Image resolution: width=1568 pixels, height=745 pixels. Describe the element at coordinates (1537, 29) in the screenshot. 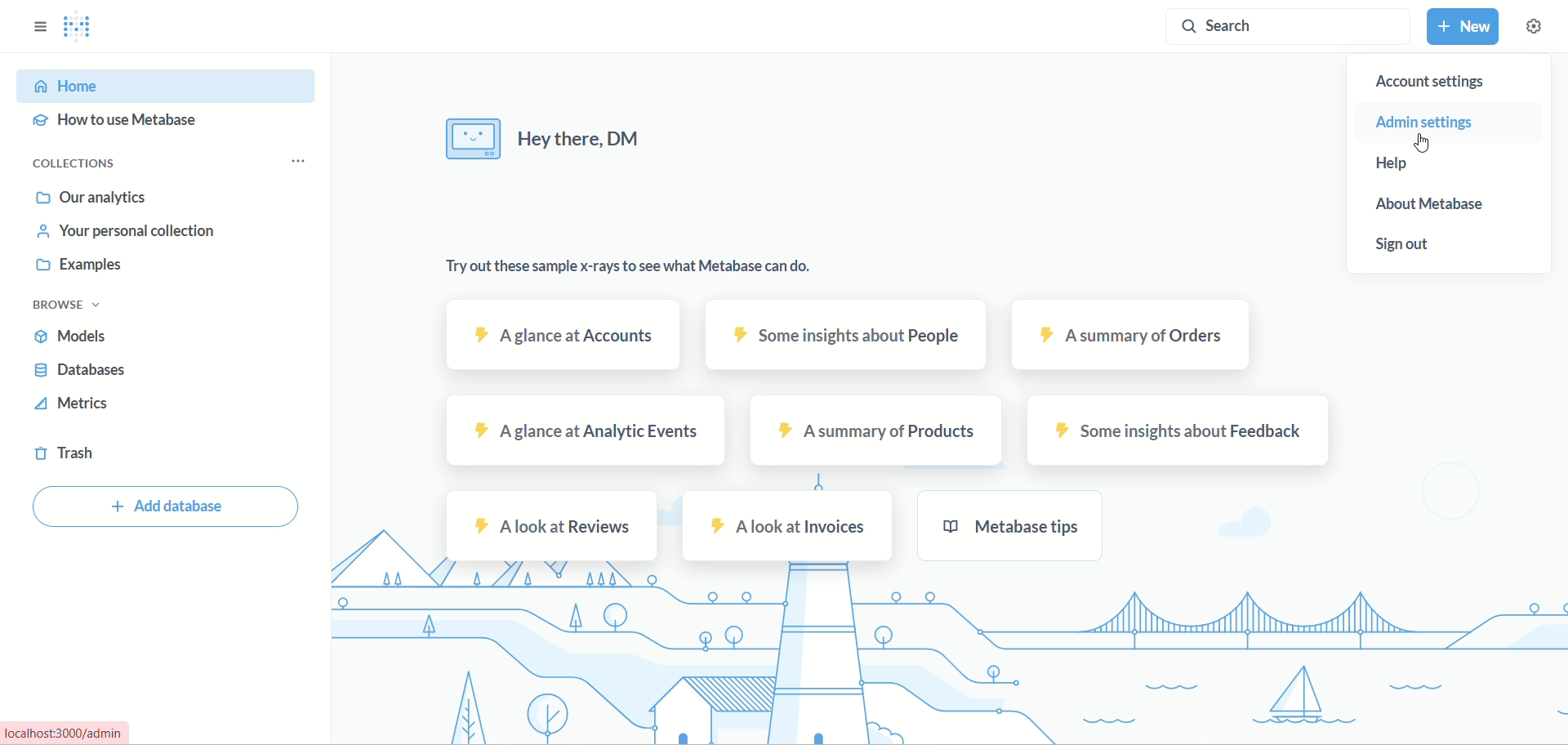

I see `settings` at that location.